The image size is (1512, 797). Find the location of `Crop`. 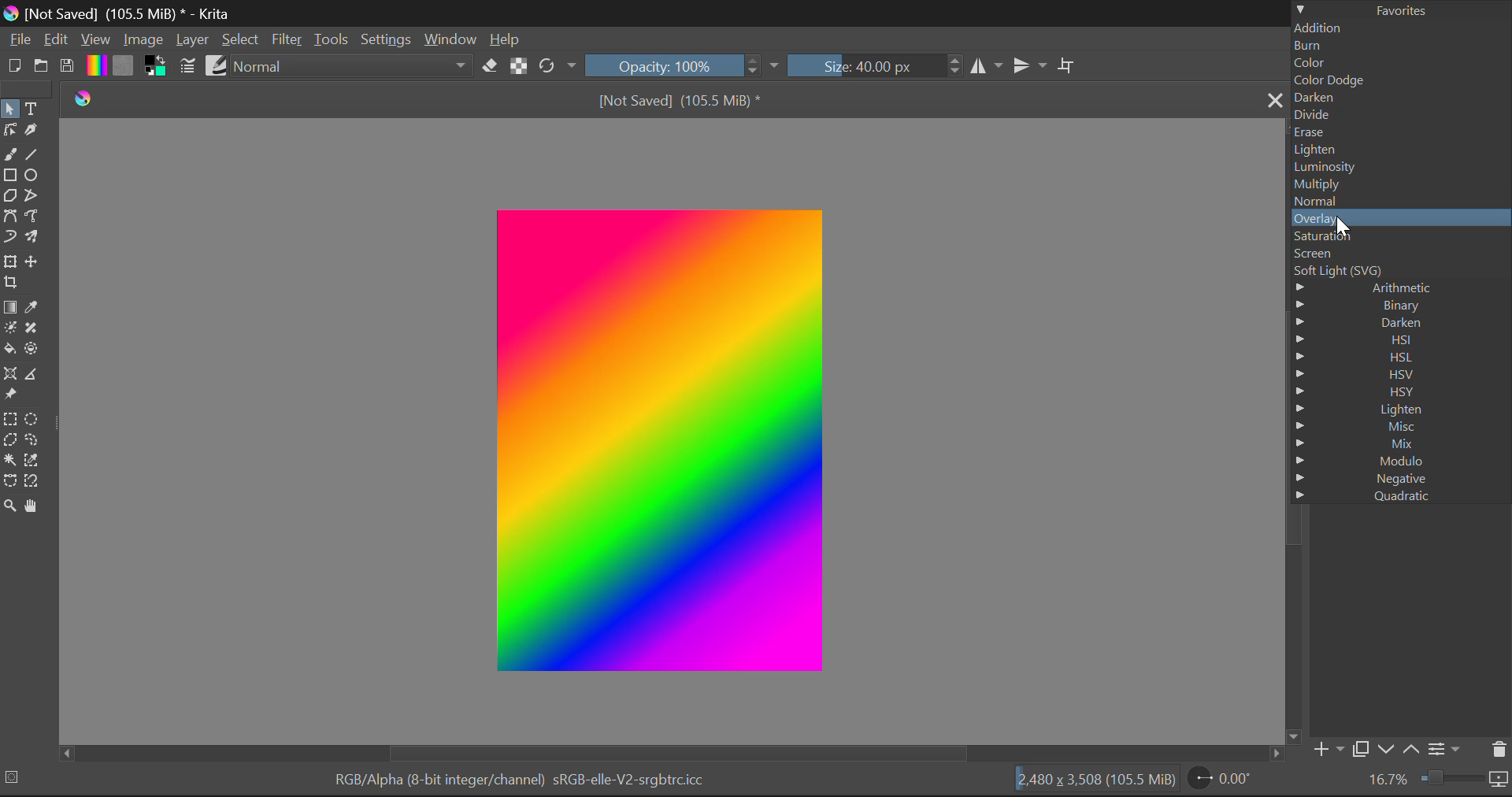

Crop is located at coordinates (1068, 65).